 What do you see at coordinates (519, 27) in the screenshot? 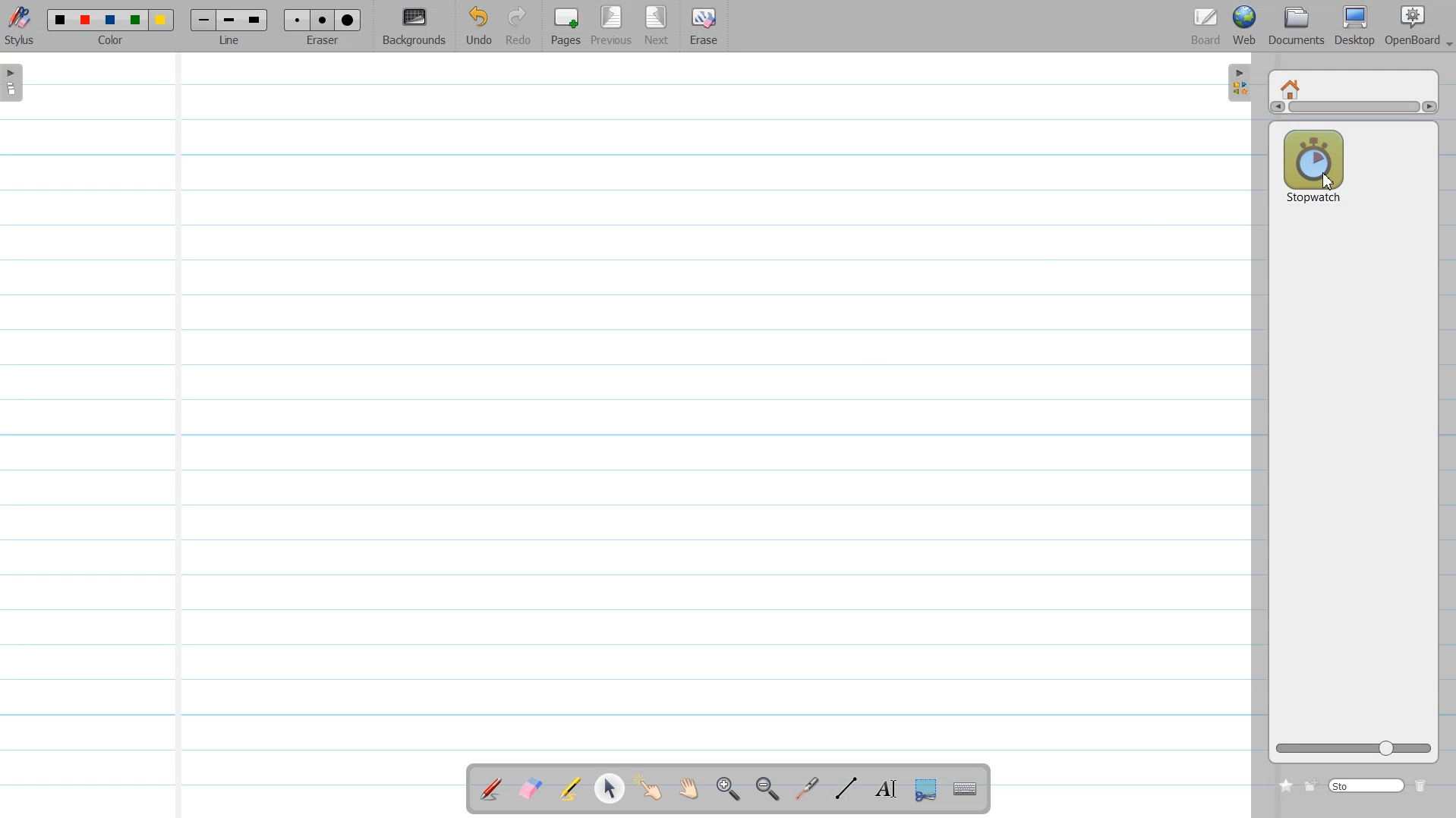
I see `Redo` at bounding box center [519, 27].